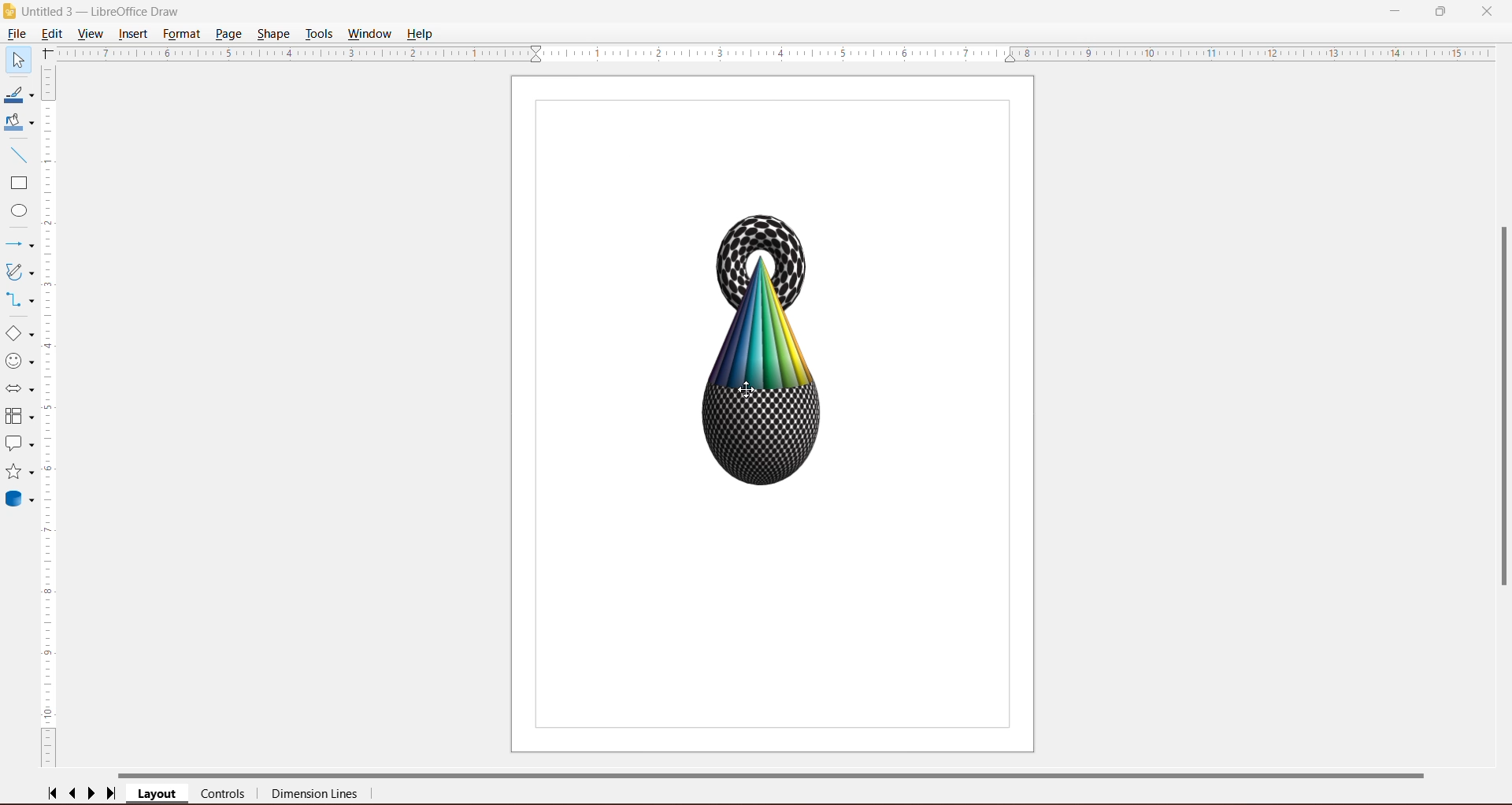 The width and height of the screenshot is (1512, 805). Describe the element at coordinates (422, 35) in the screenshot. I see `Help` at that location.